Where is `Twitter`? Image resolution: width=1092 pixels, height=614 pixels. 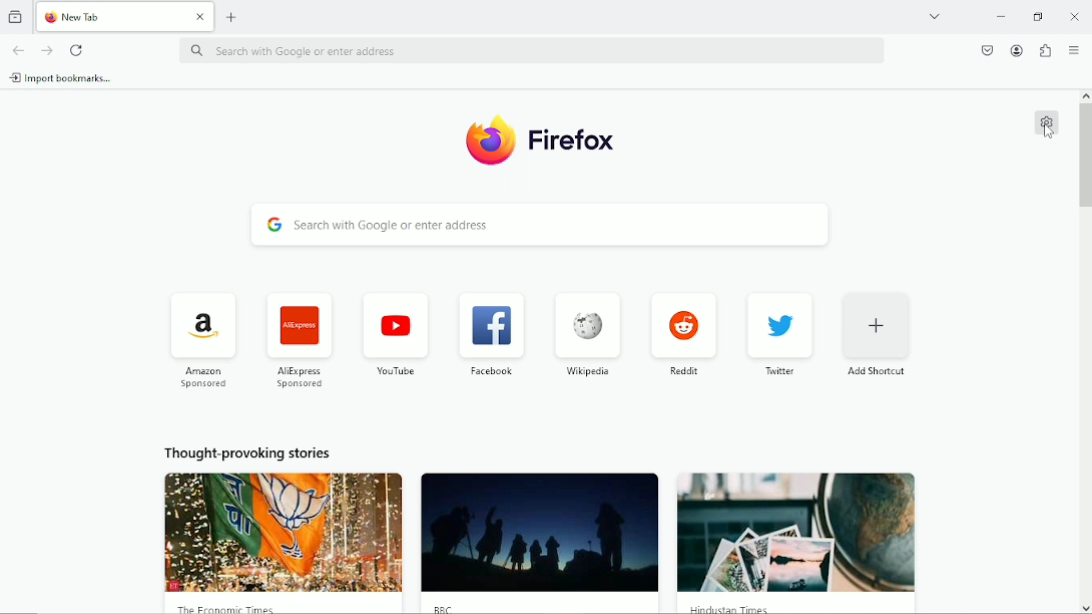
Twitter is located at coordinates (781, 331).